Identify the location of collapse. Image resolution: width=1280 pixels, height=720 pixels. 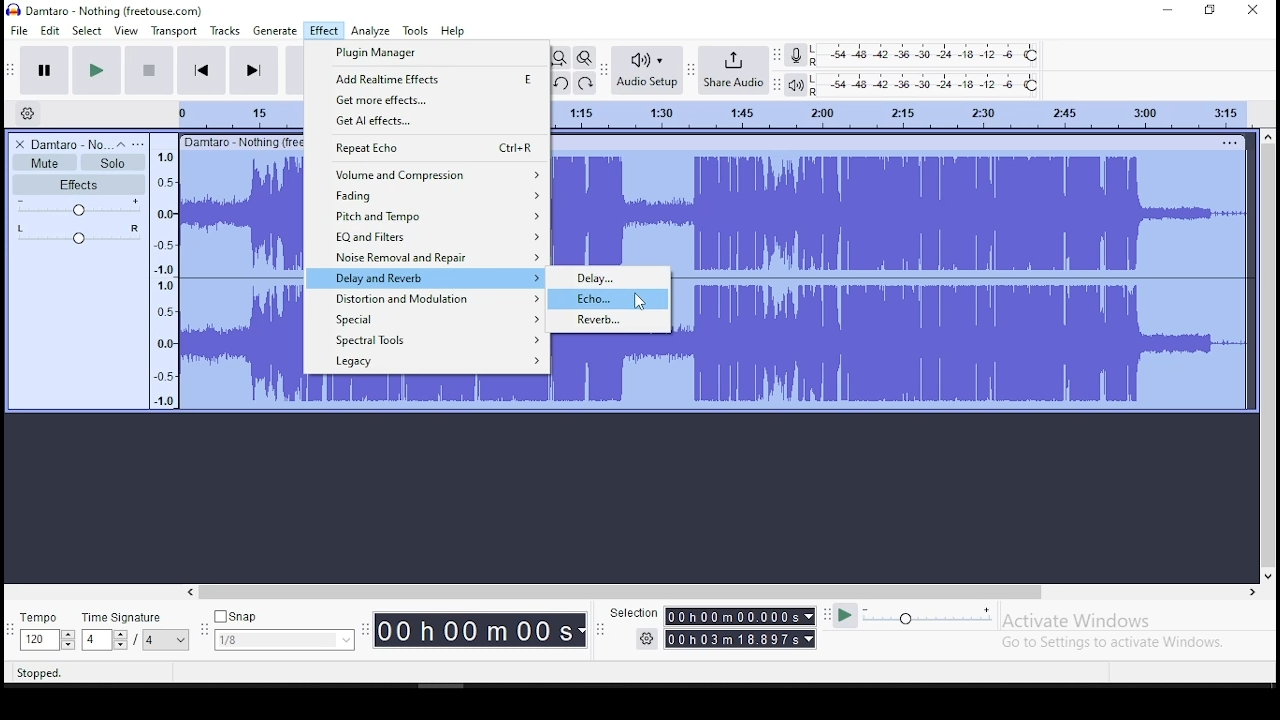
(123, 143).